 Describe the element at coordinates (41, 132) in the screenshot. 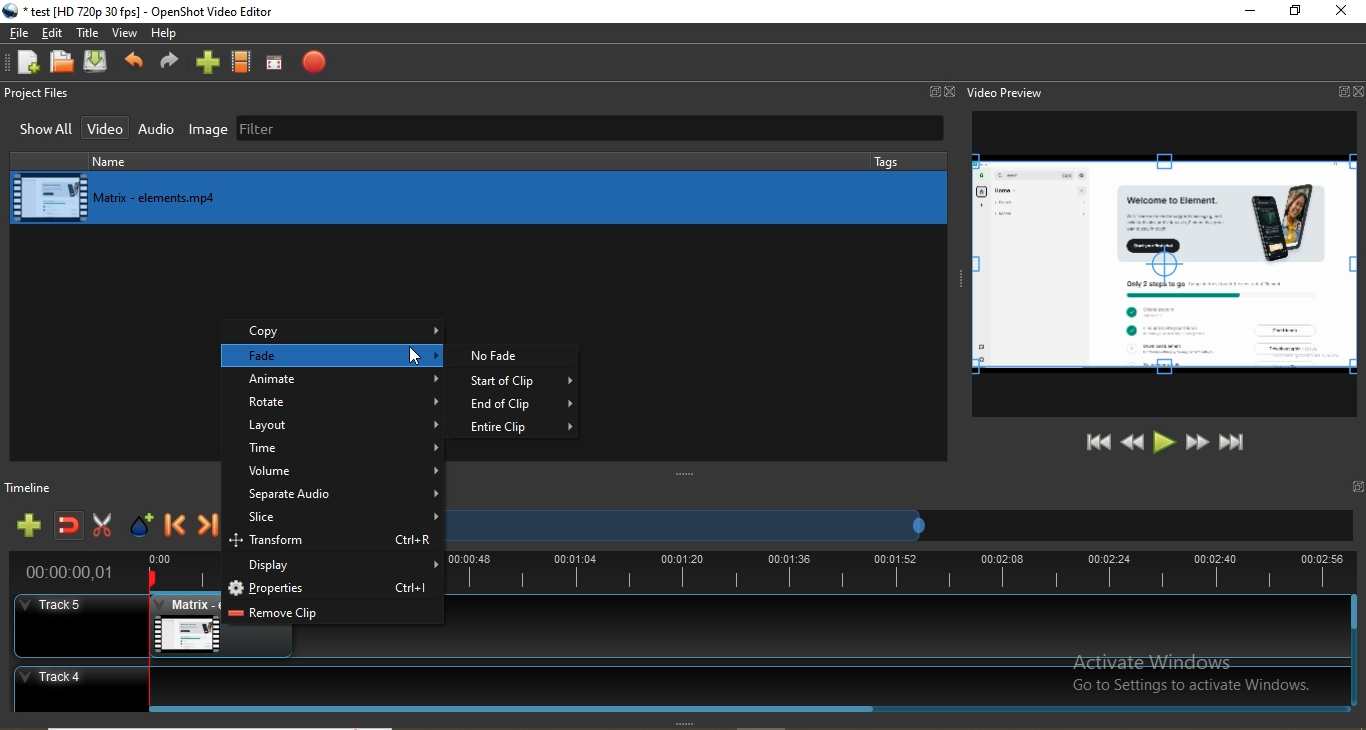

I see `Show all` at that location.